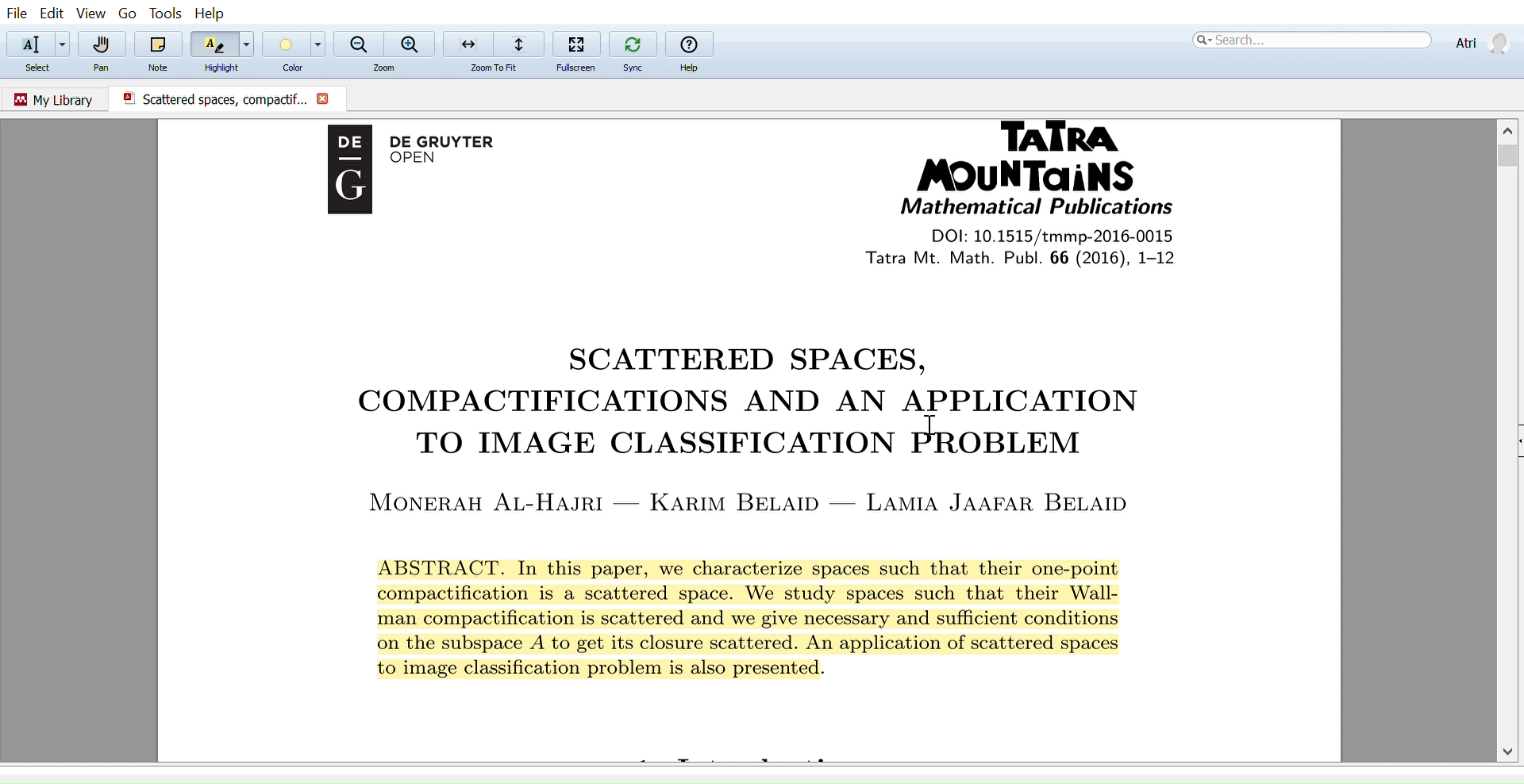 Image resolution: width=1524 pixels, height=784 pixels. What do you see at coordinates (214, 13) in the screenshot?
I see `Help` at bounding box center [214, 13].